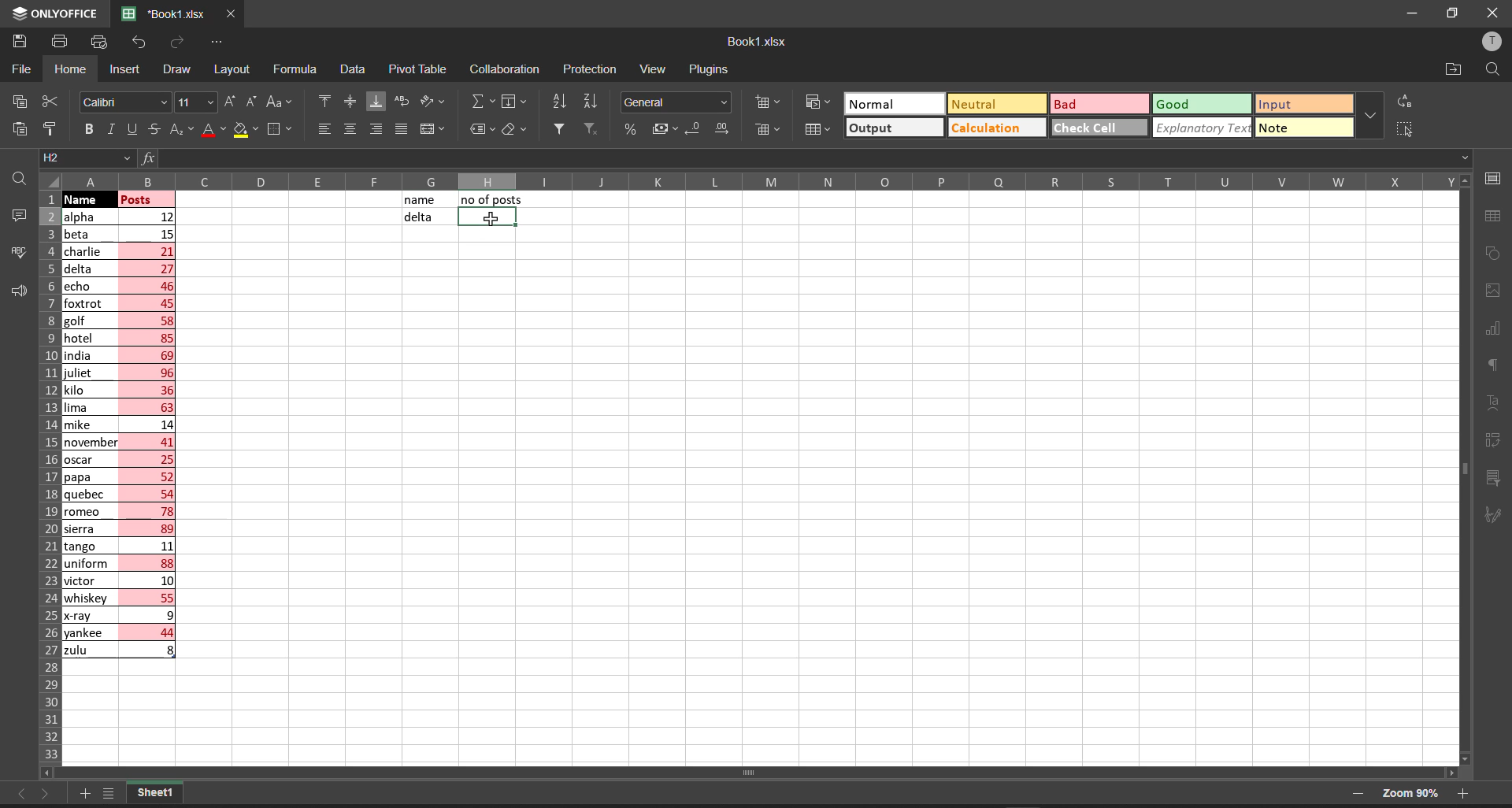  Describe the element at coordinates (55, 772) in the screenshot. I see `scroll left` at that location.